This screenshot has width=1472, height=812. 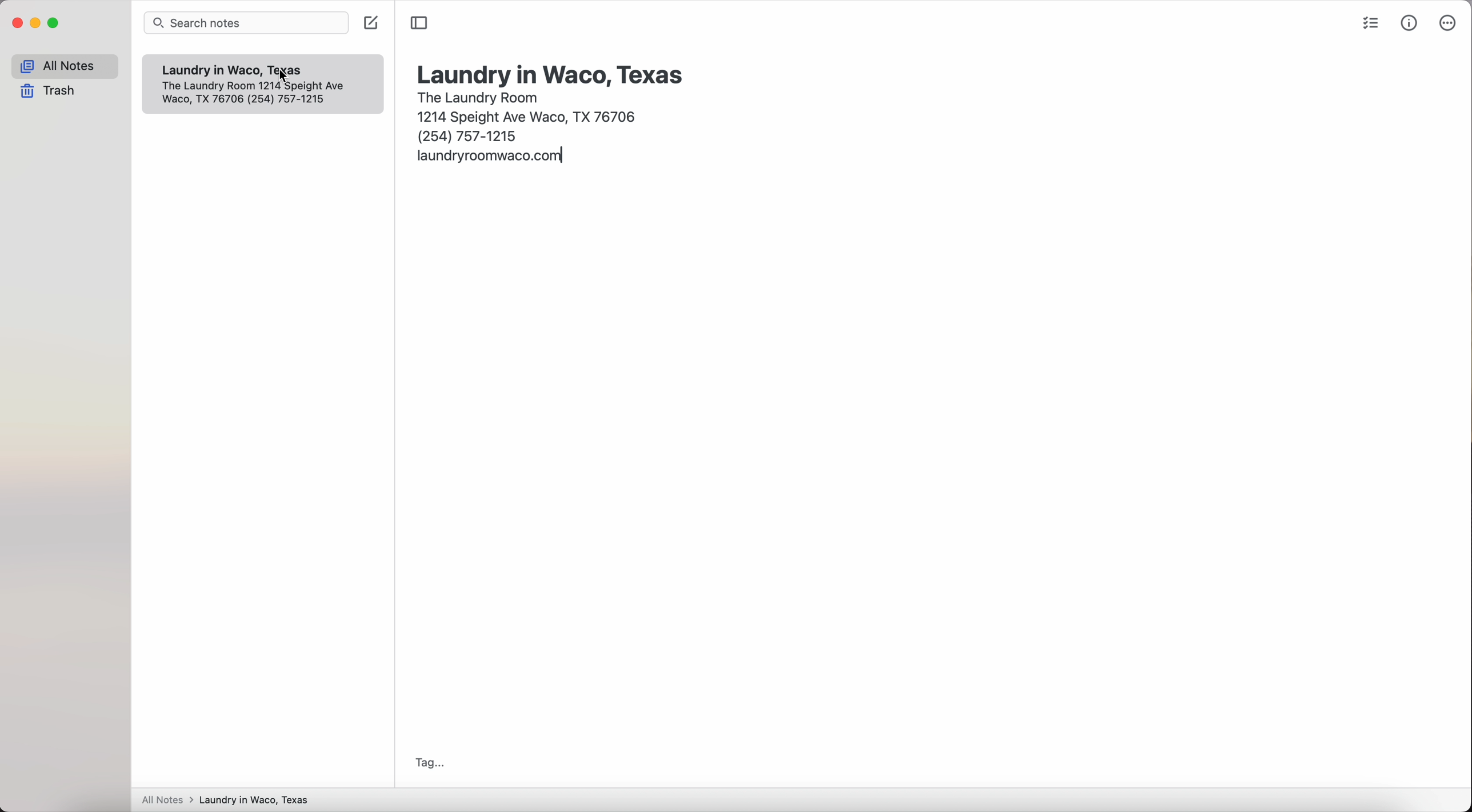 I want to click on 1214 Speight Ave Waco, TX 76706, so click(x=530, y=115).